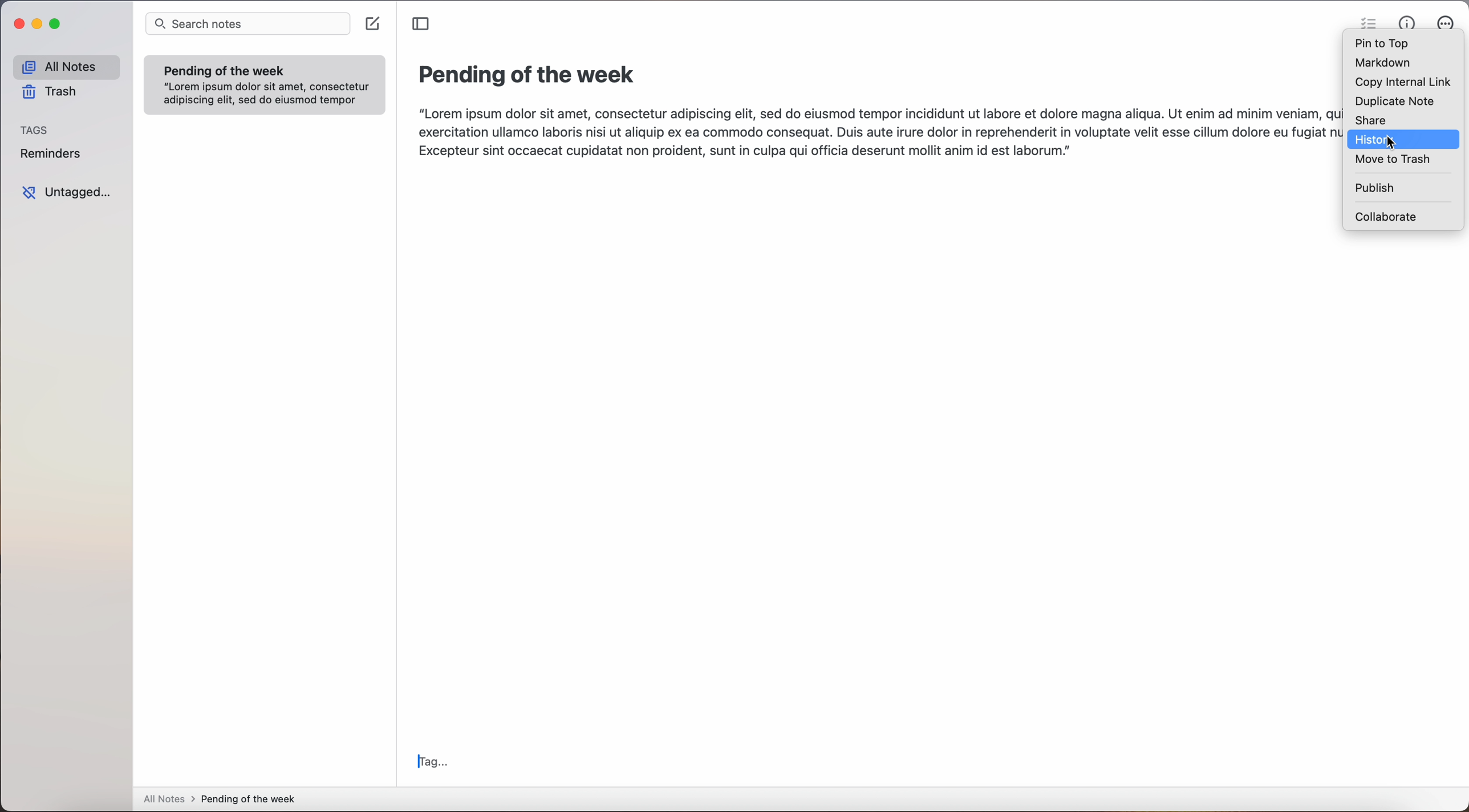 The width and height of the screenshot is (1469, 812). Describe the element at coordinates (17, 23) in the screenshot. I see `close Simplenote` at that location.